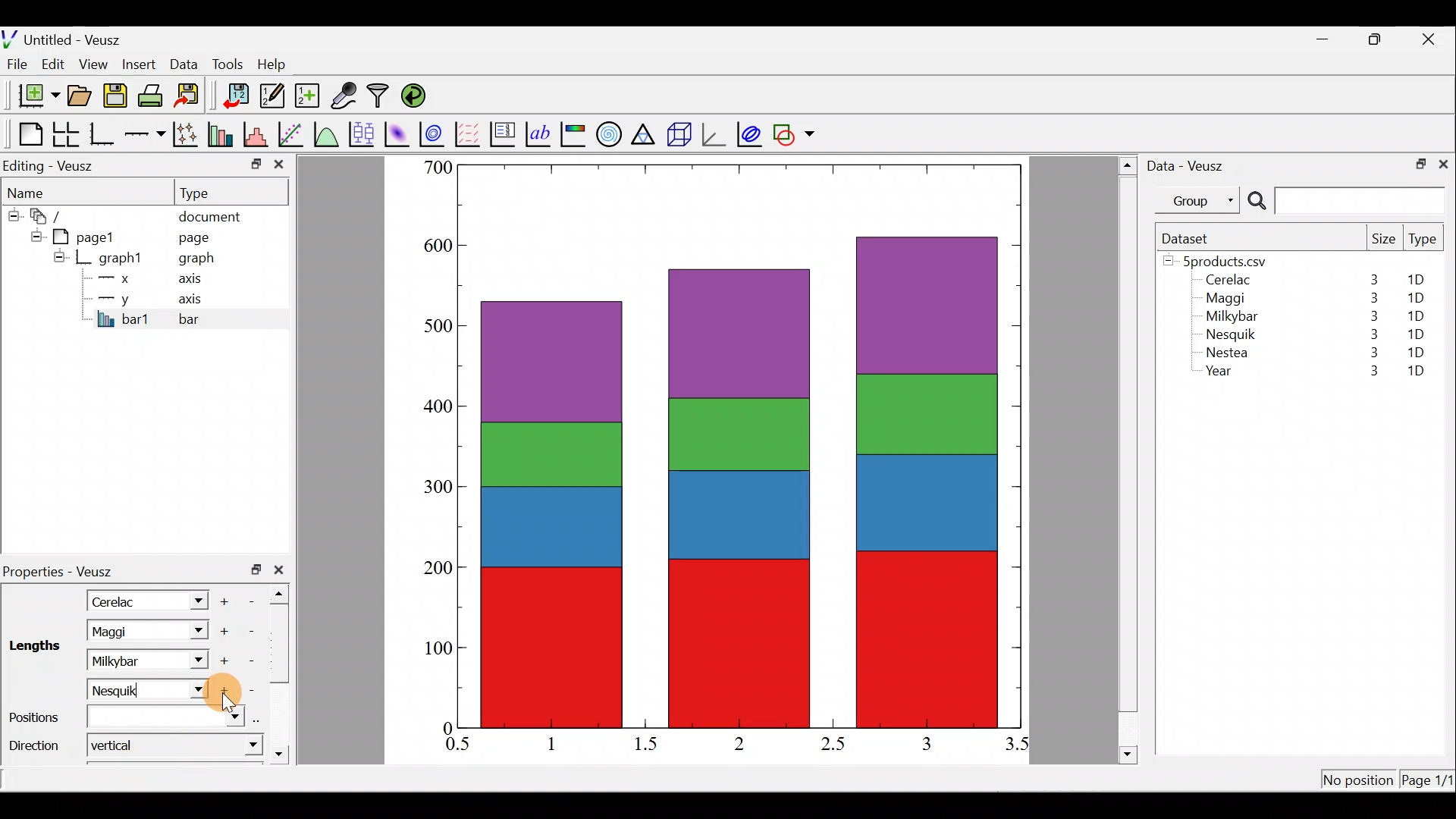  What do you see at coordinates (309, 96) in the screenshot?
I see `Create new dataset using ranges, parametrically, or as functions of existing datasets.` at bounding box center [309, 96].